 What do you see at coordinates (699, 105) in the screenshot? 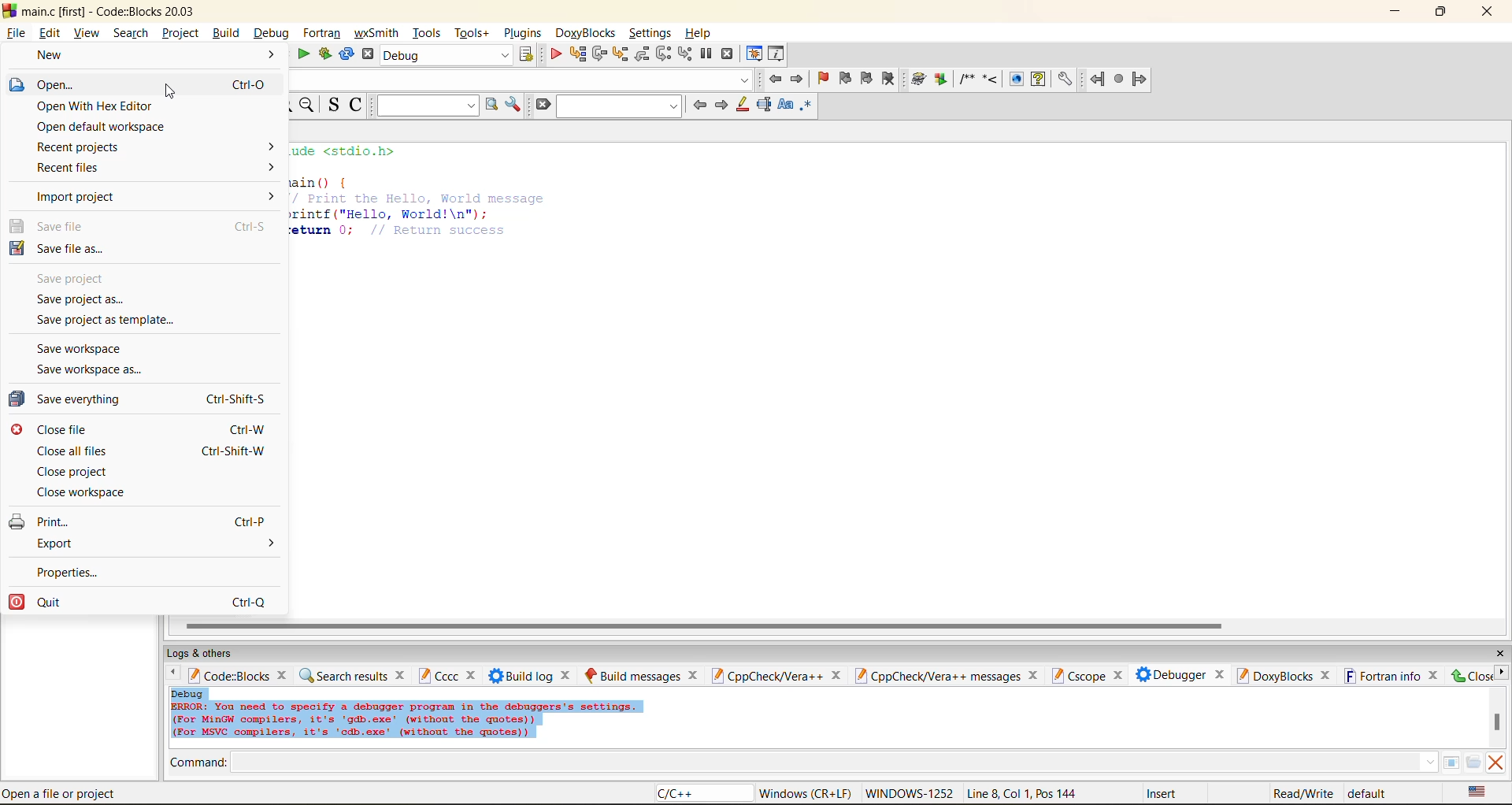
I see `previous` at bounding box center [699, 105].